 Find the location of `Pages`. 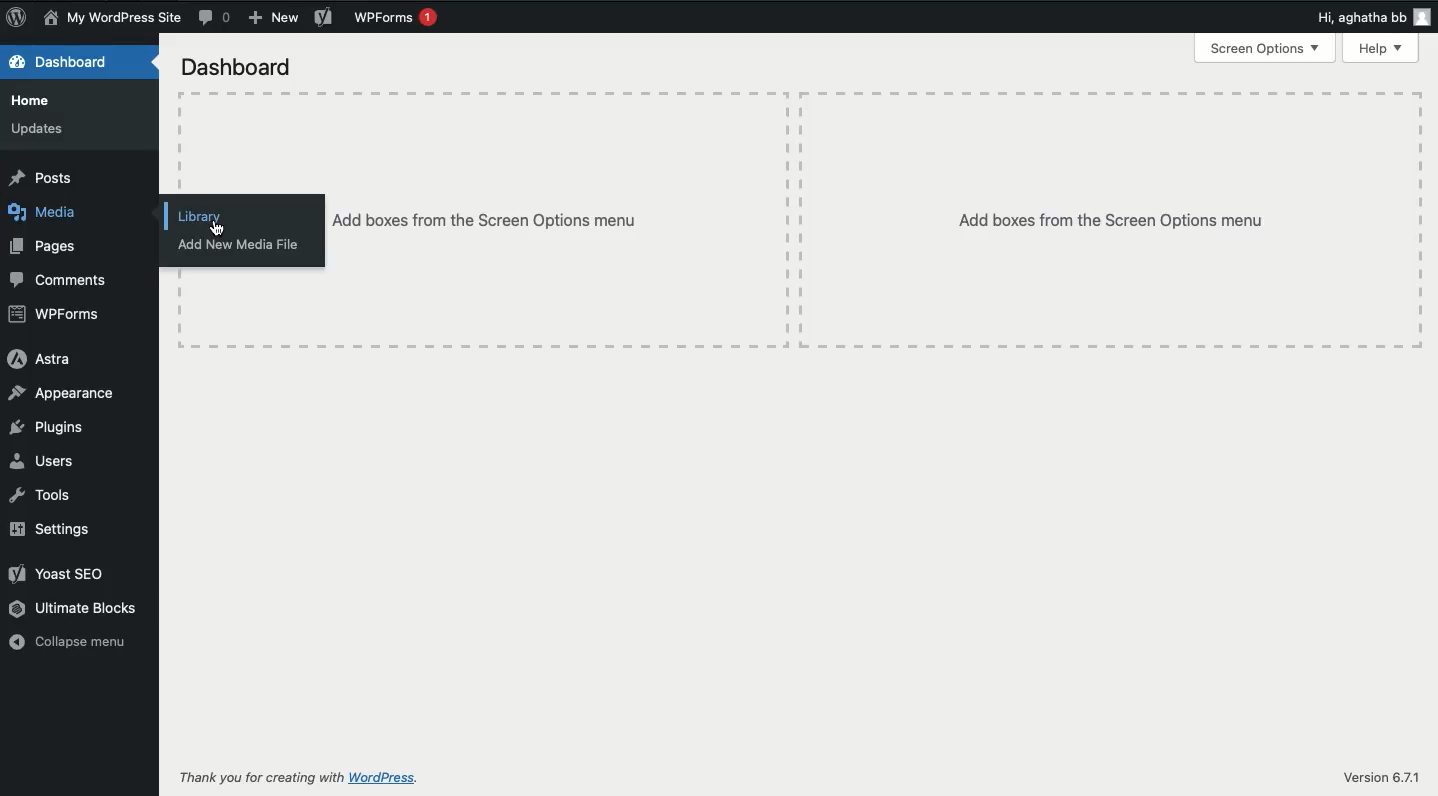

Pages is located at coordinates (47, 248).